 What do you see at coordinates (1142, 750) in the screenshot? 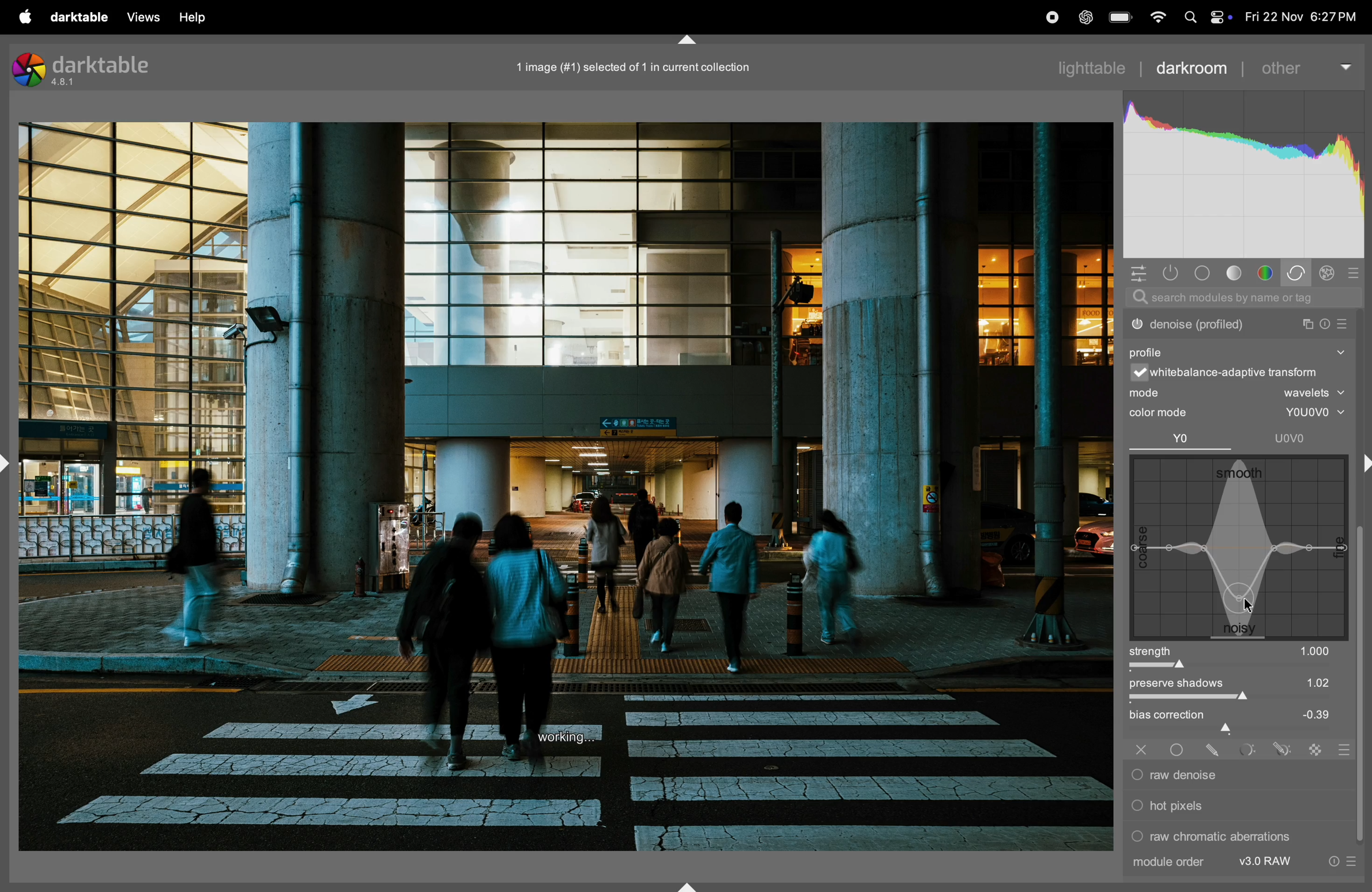
I see `off` at bounding box center [1142, 750].